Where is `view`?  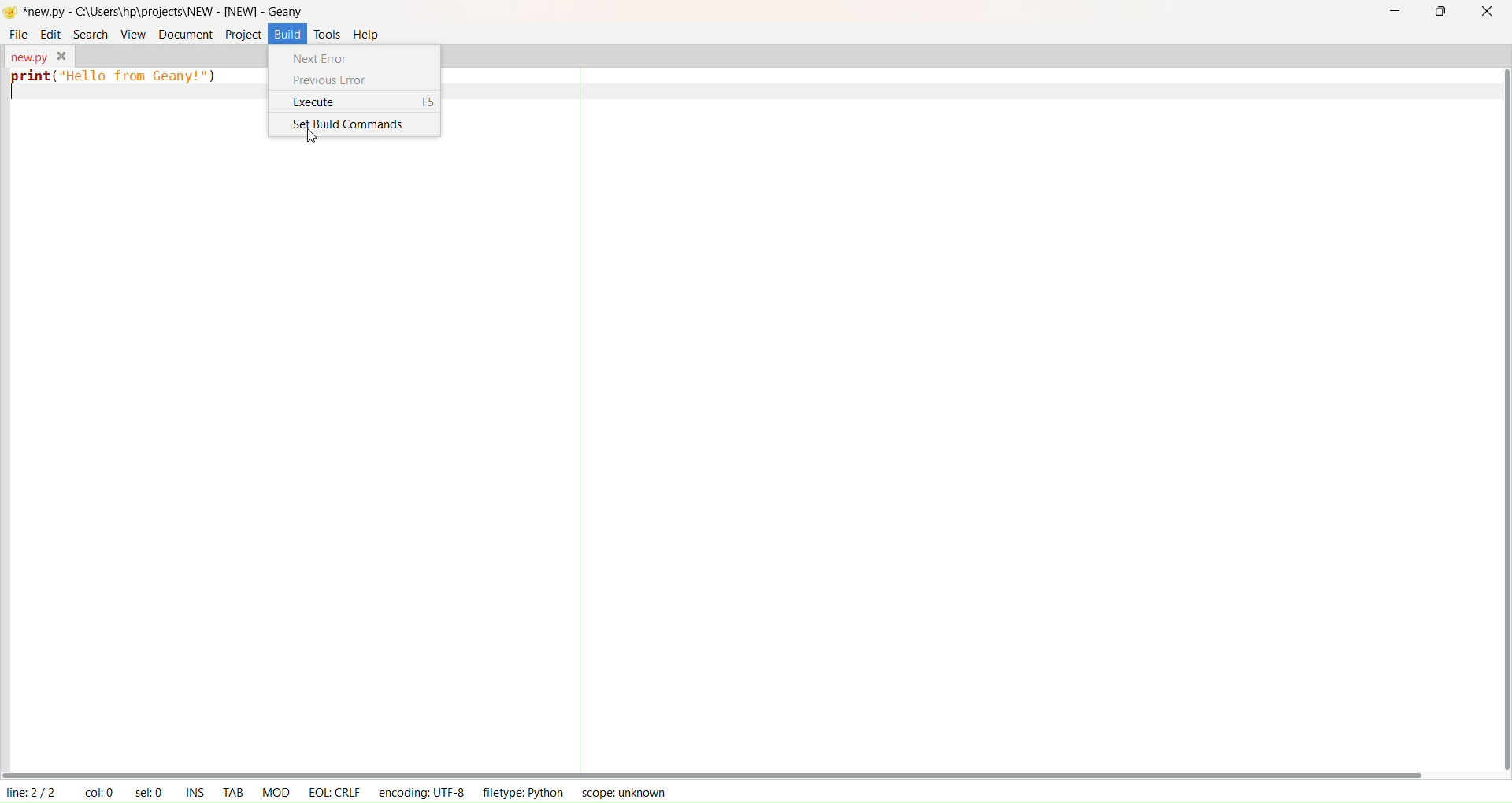
view is located at coordinates (133, 32).